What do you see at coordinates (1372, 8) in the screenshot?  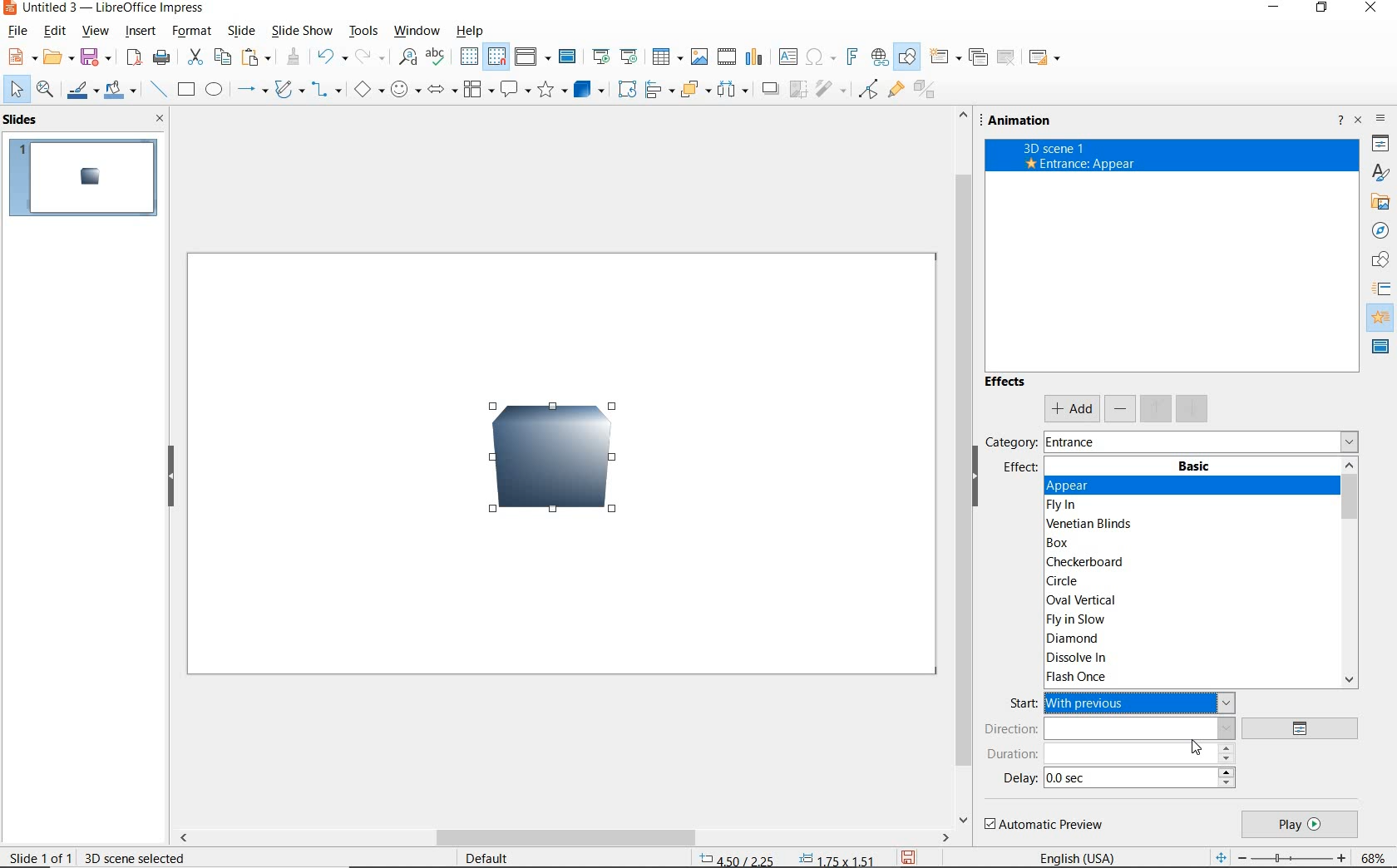 I see `CLOSE` at bounding box center [1372, 8].